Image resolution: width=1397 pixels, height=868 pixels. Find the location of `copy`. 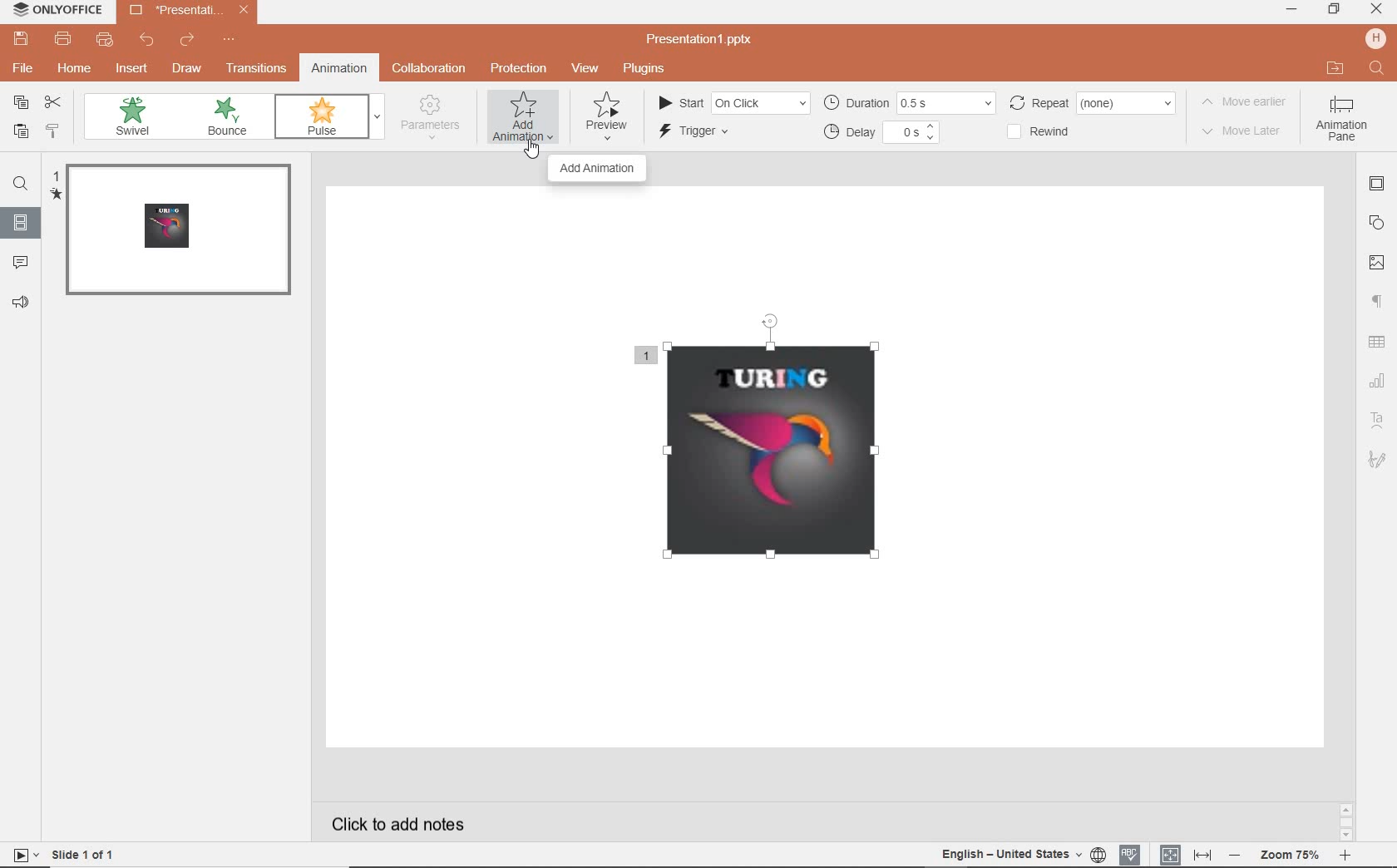

copy is located at coordinates (20, 103).